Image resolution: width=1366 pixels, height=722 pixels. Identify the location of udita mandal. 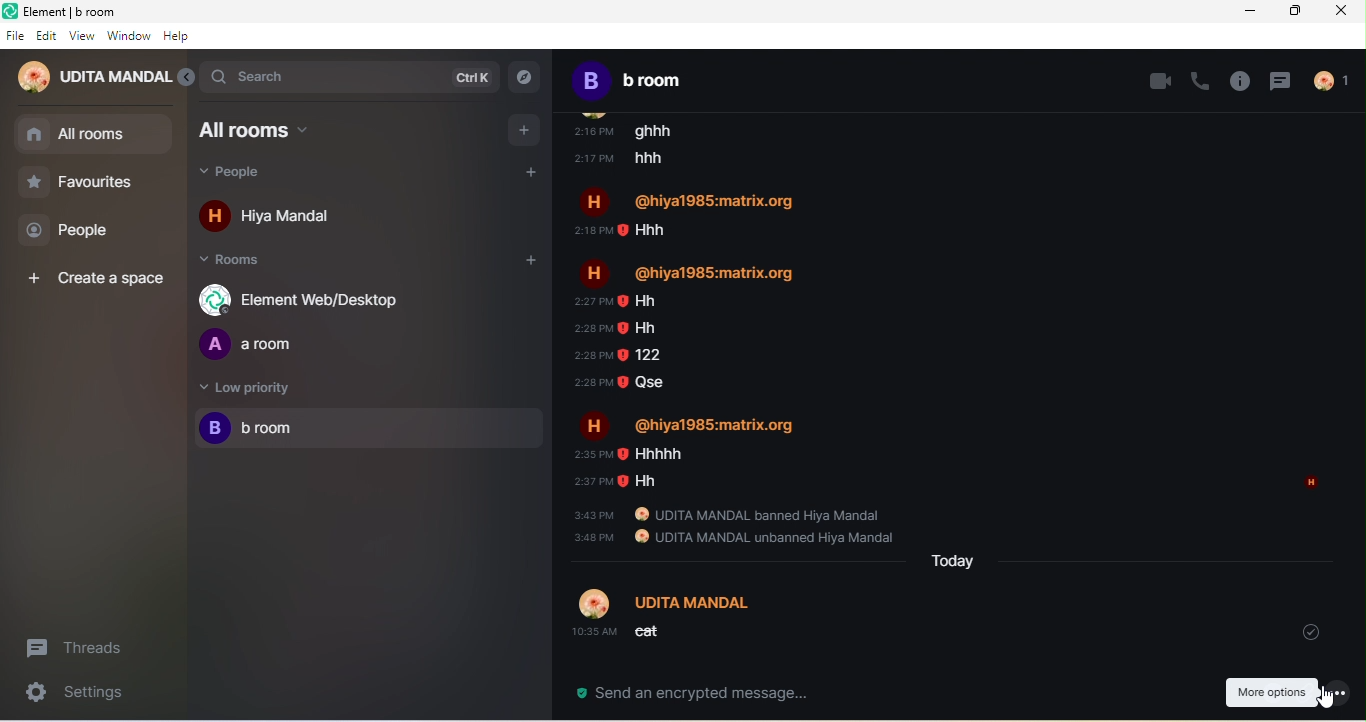
(89, 80).